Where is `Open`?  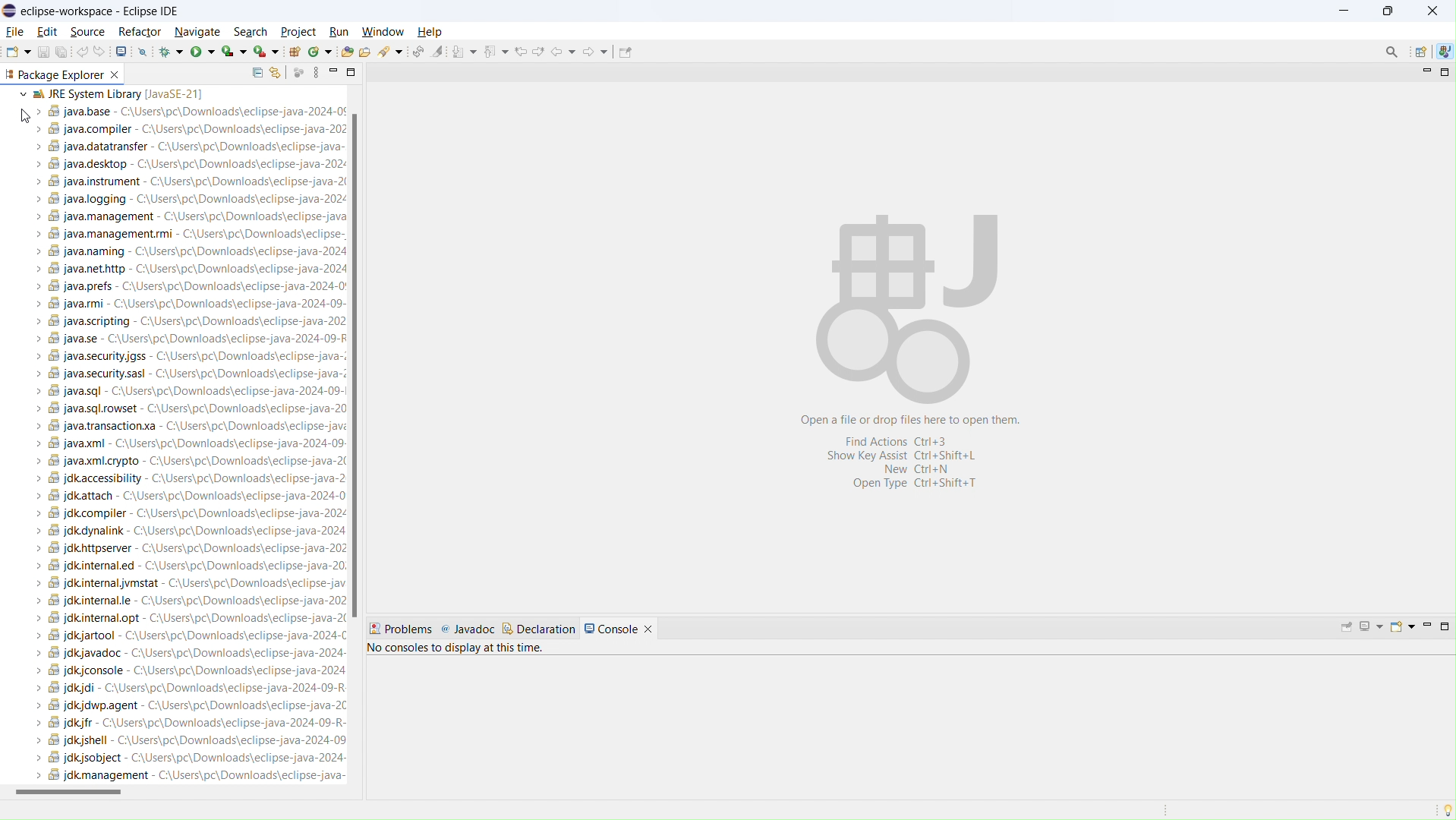
Open is located at coordinates (369, 52).